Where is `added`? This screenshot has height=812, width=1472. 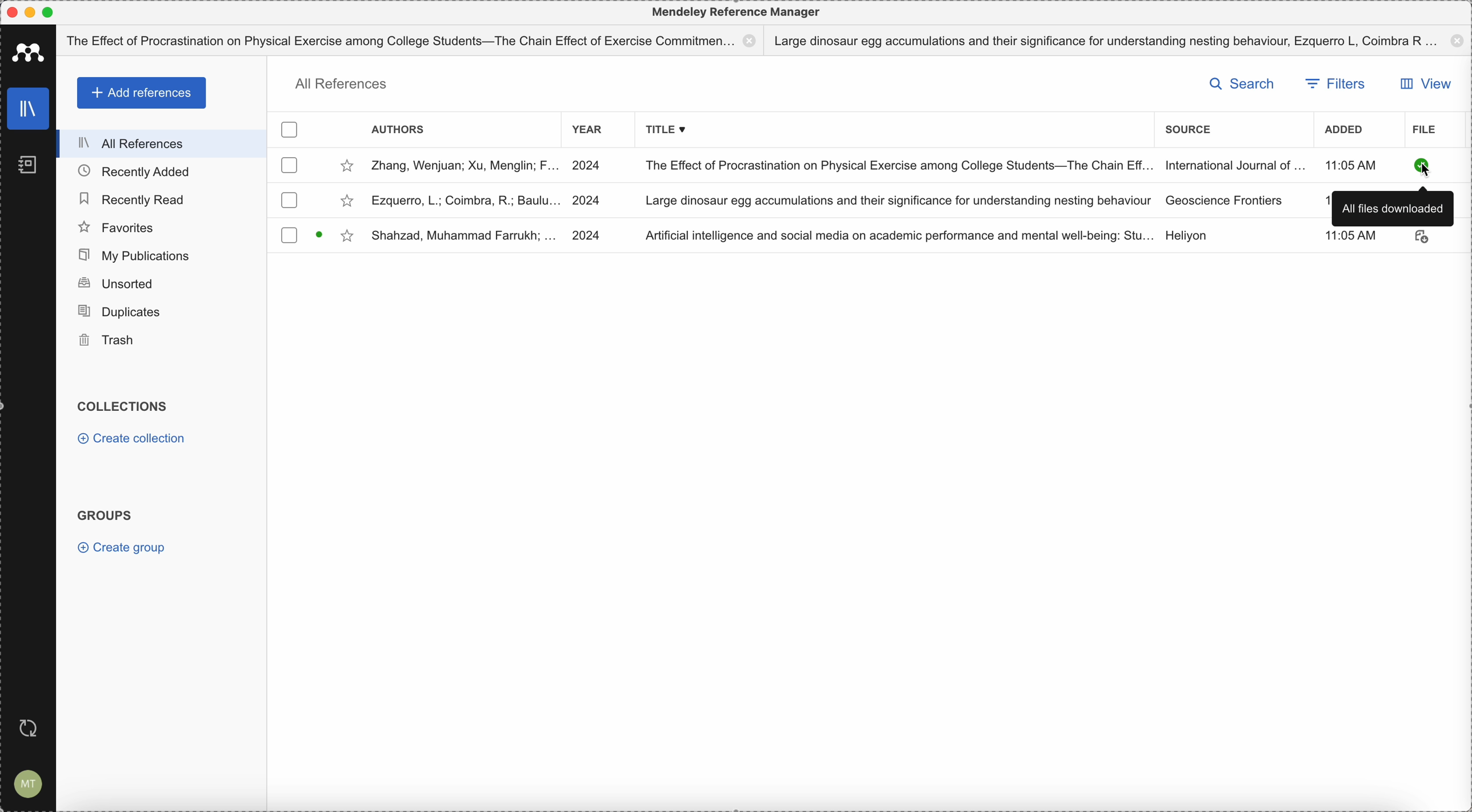 added is located at coordinates (1348, 129).